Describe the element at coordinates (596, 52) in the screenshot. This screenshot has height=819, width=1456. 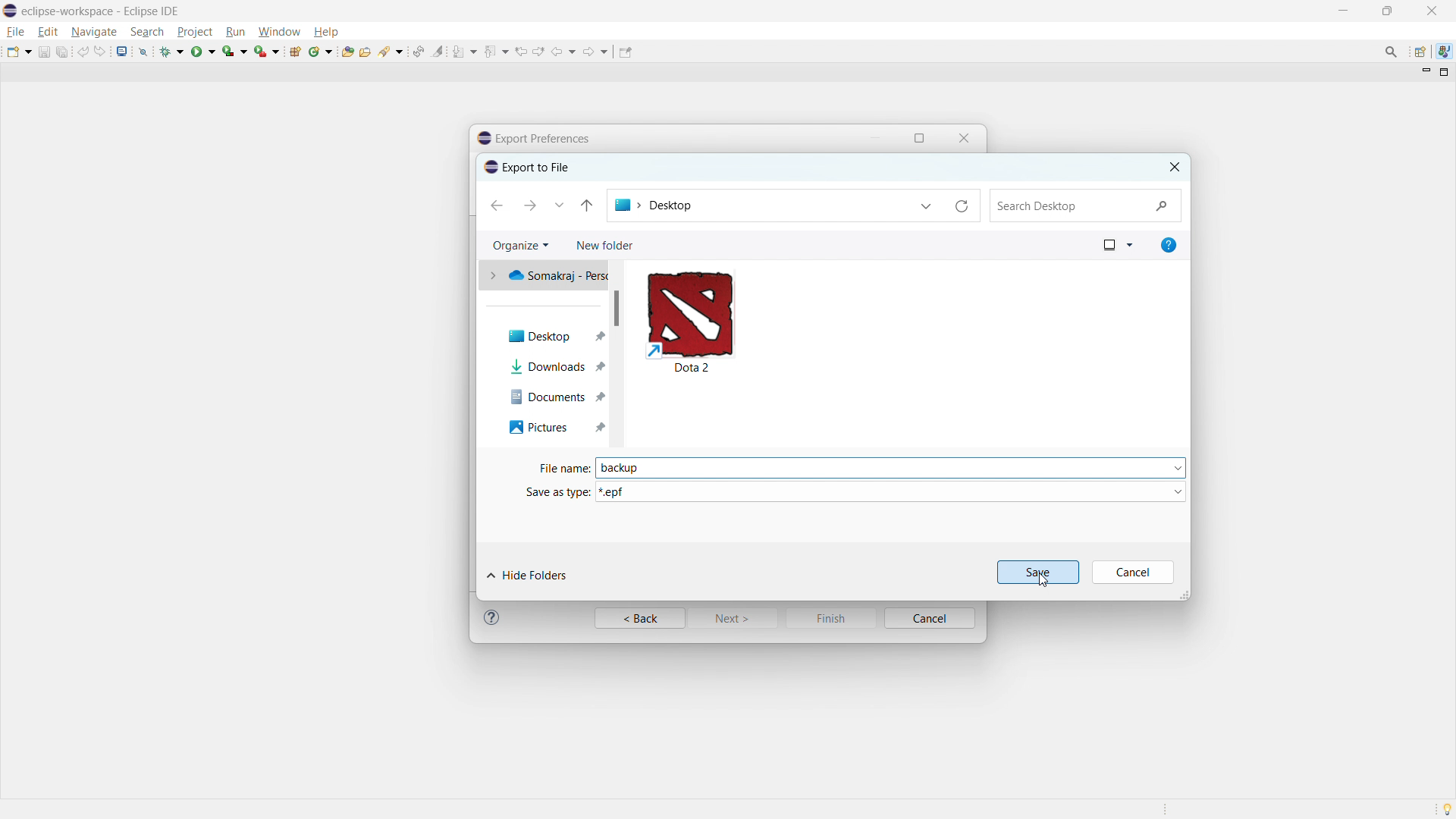
I see `forward` at that location.